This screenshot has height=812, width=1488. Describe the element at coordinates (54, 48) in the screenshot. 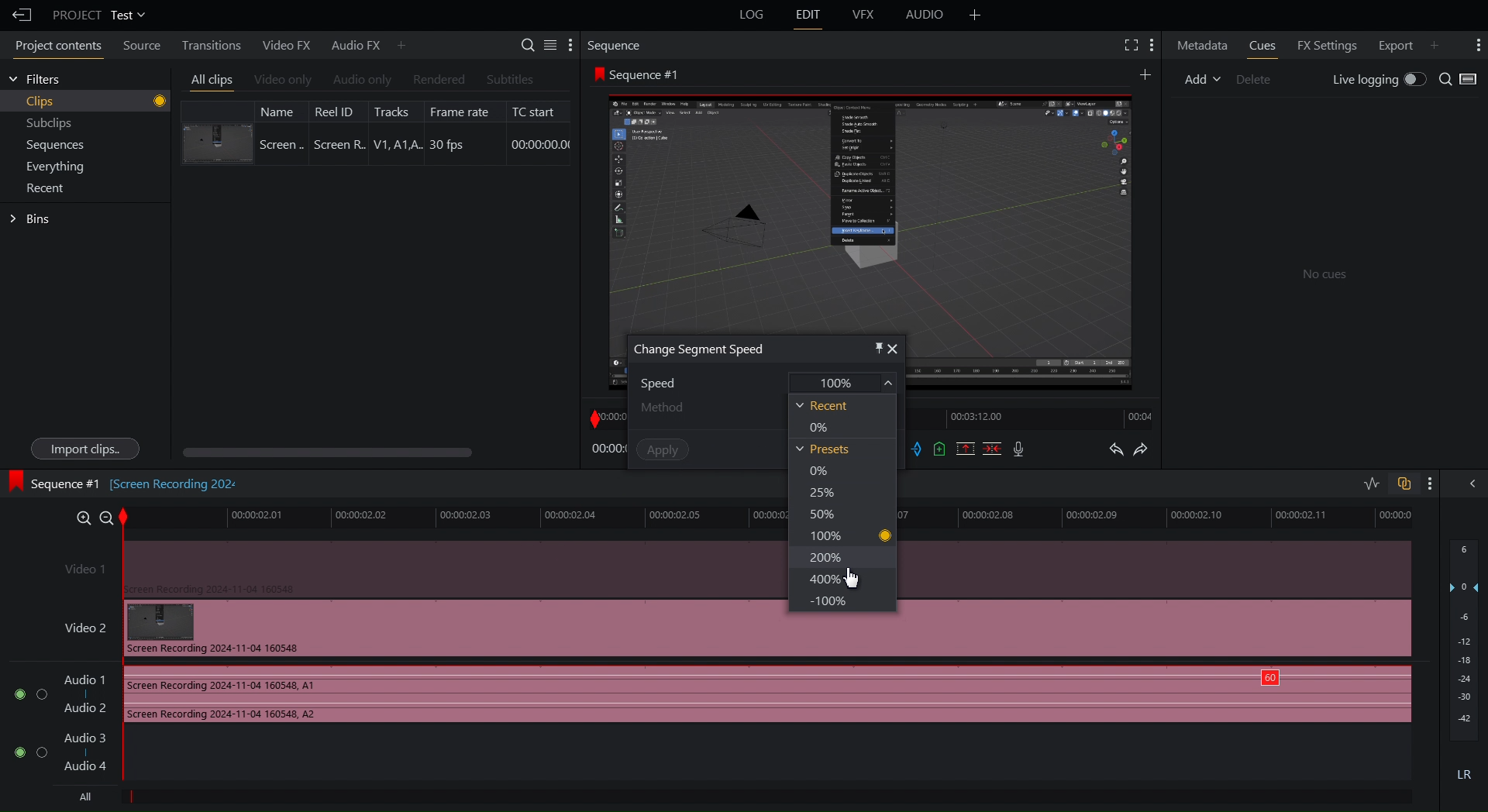

I see `Project contents` at that location.